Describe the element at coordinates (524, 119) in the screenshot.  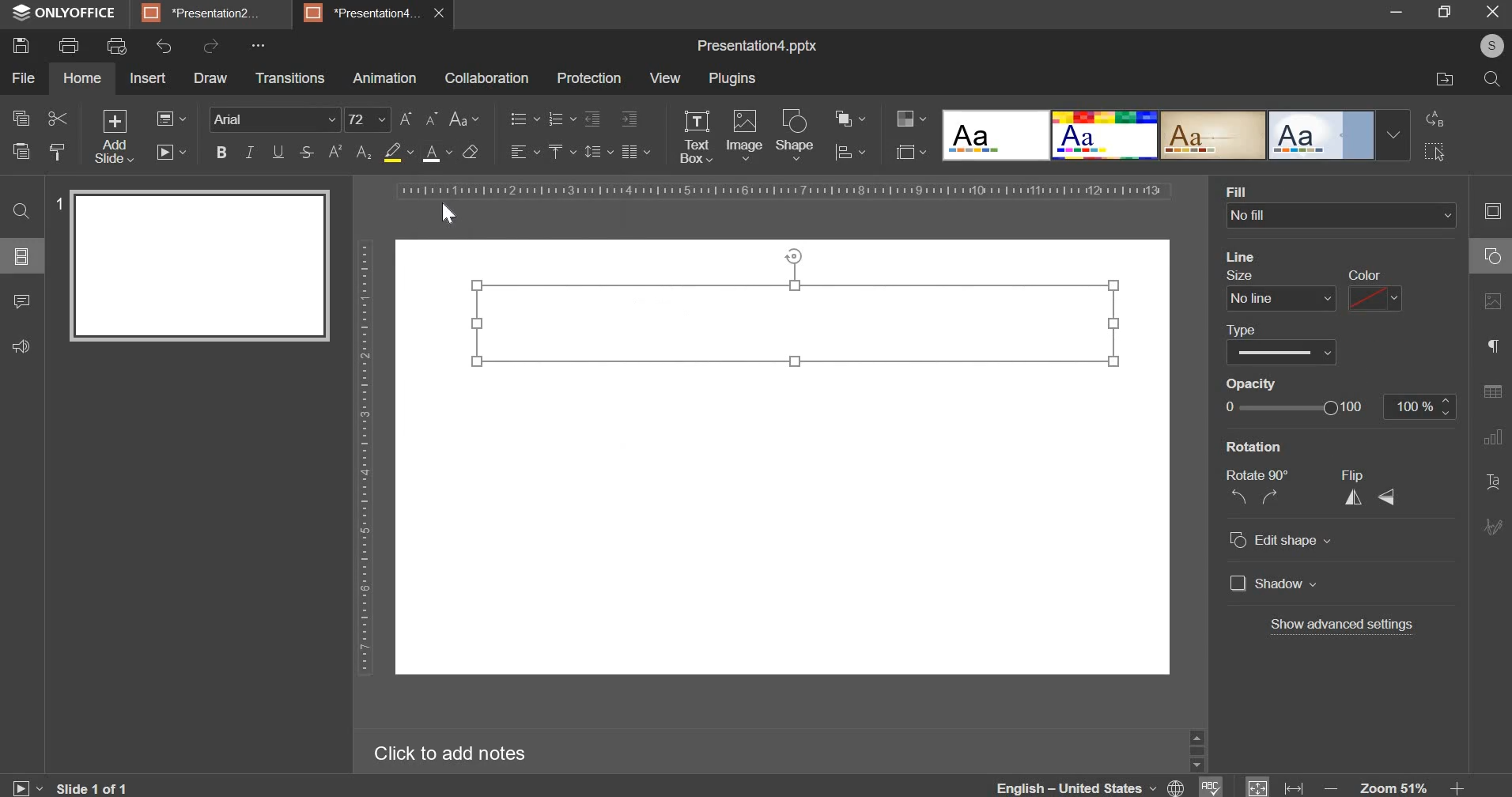
I see `bullets` at that location.